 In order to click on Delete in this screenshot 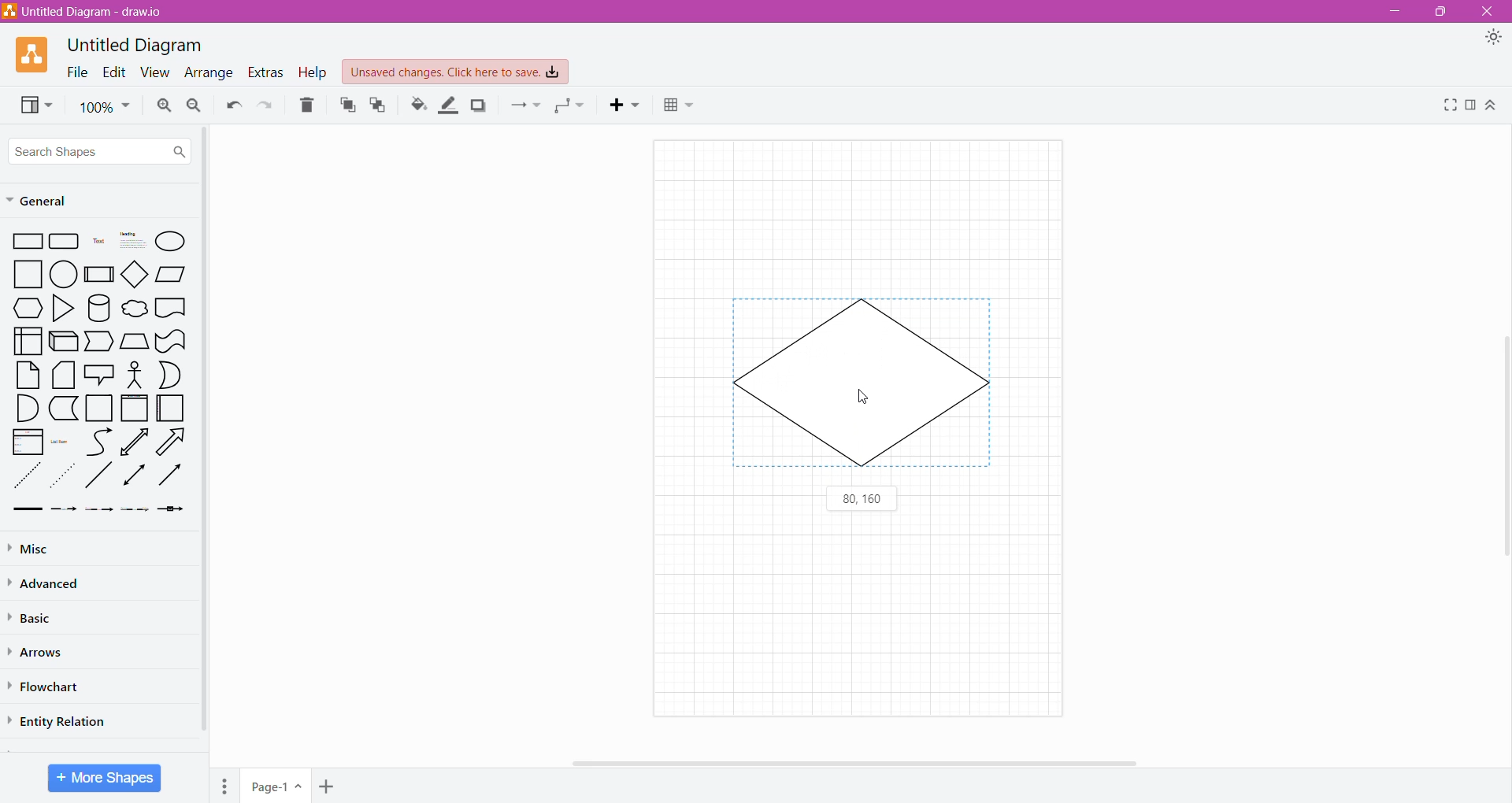, I will do `click(308, 105)`.